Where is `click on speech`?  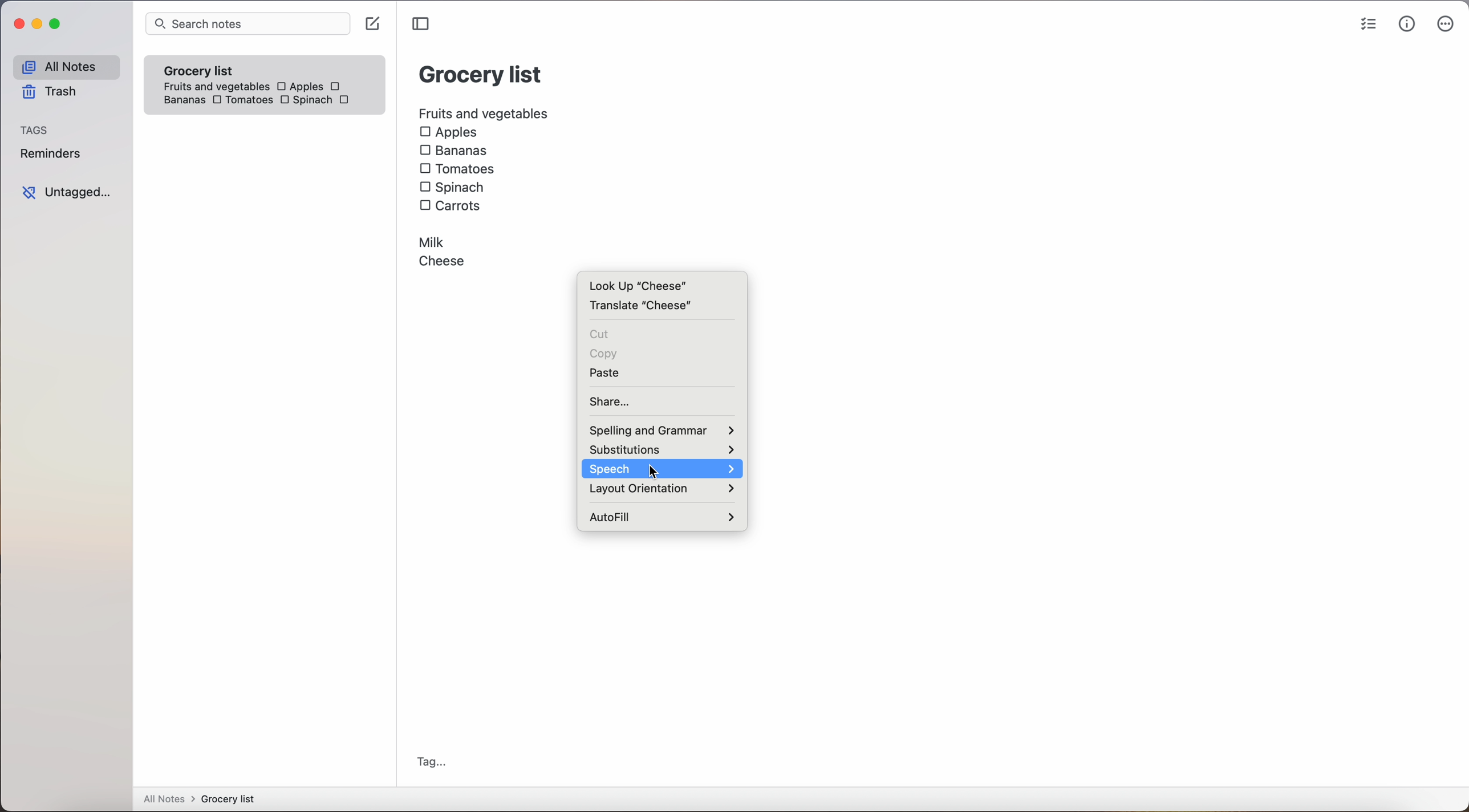
click on speech is located at coordinates (662, 468).